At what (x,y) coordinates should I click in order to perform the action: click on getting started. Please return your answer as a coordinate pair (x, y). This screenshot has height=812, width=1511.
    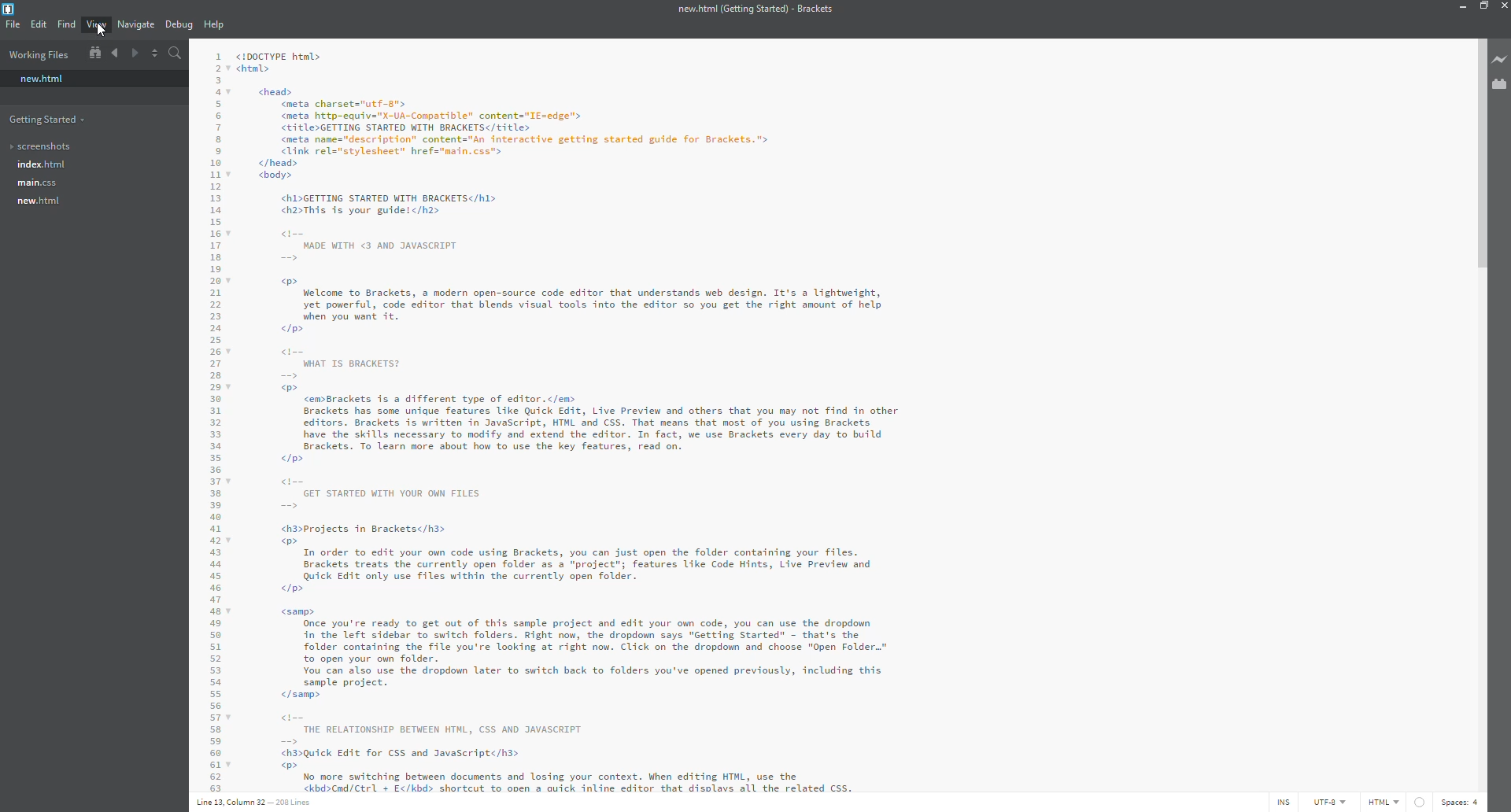
    Looking at the image, I should click on (48, 120).